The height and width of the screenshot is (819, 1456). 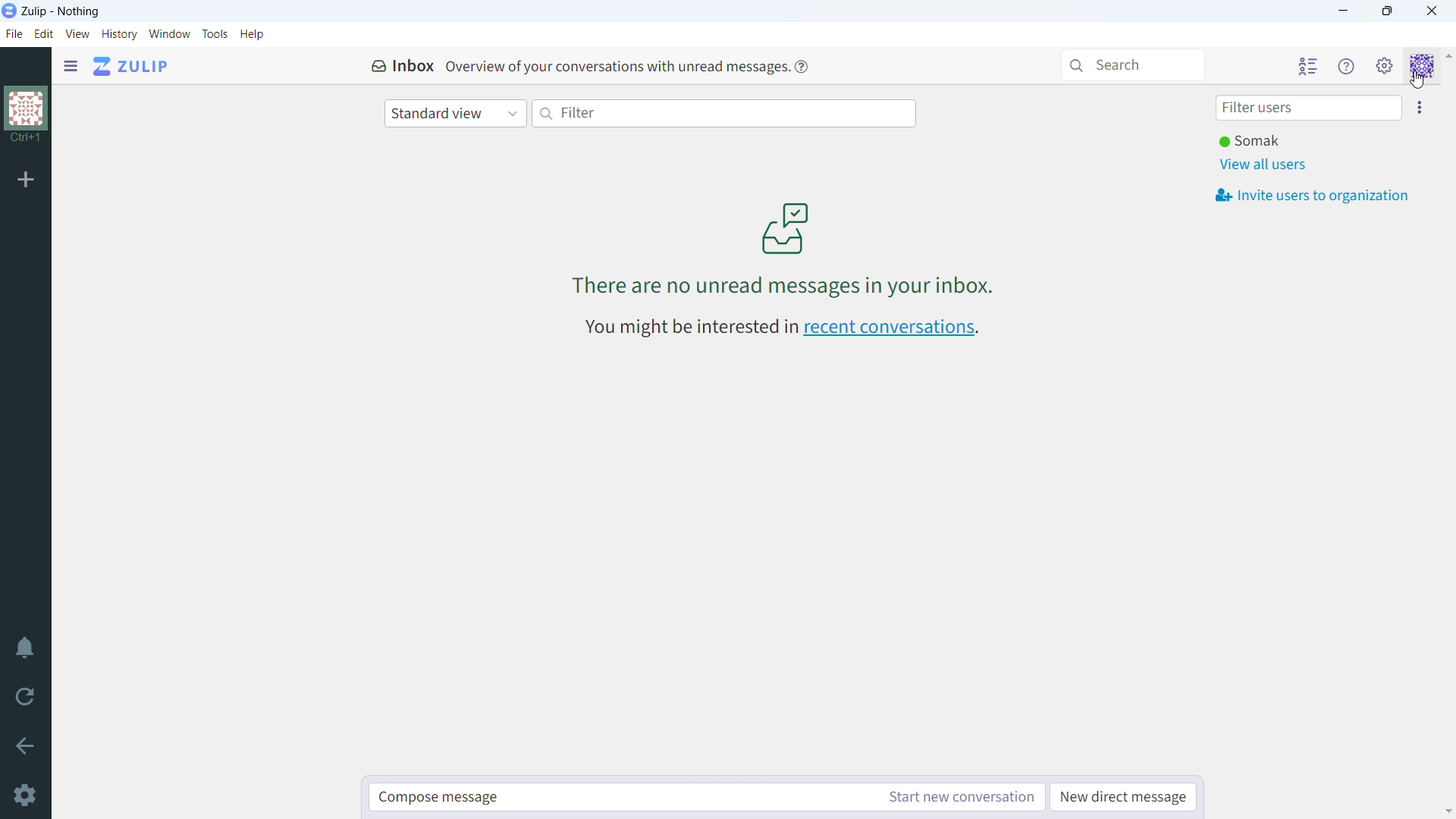 What do you see at coordinates (1447, 59) in the screenshot?
I see `scroll up` at bounding box center [1447, 59].